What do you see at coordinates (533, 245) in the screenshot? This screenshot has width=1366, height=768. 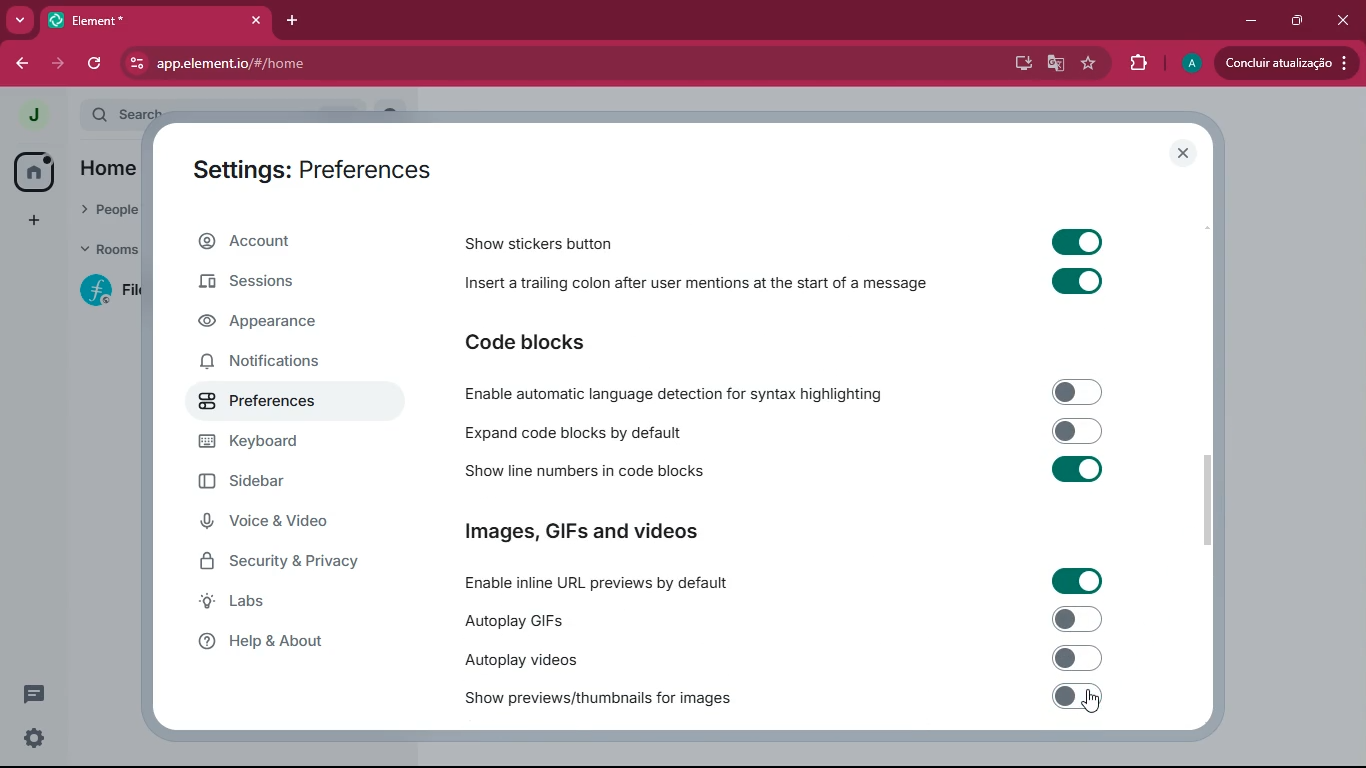 I see `Show stickers button` at bounding box center [533, 245].